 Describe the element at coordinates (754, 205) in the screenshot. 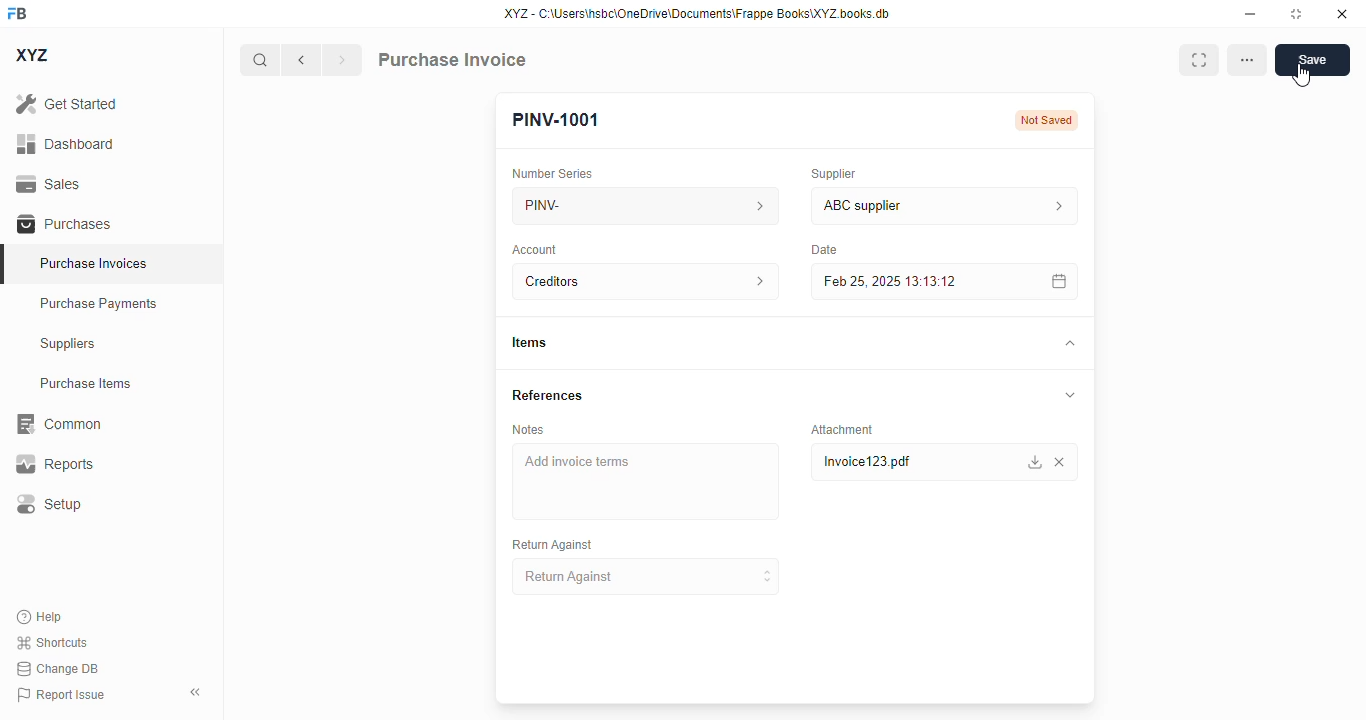

I see `number series information` at that location.